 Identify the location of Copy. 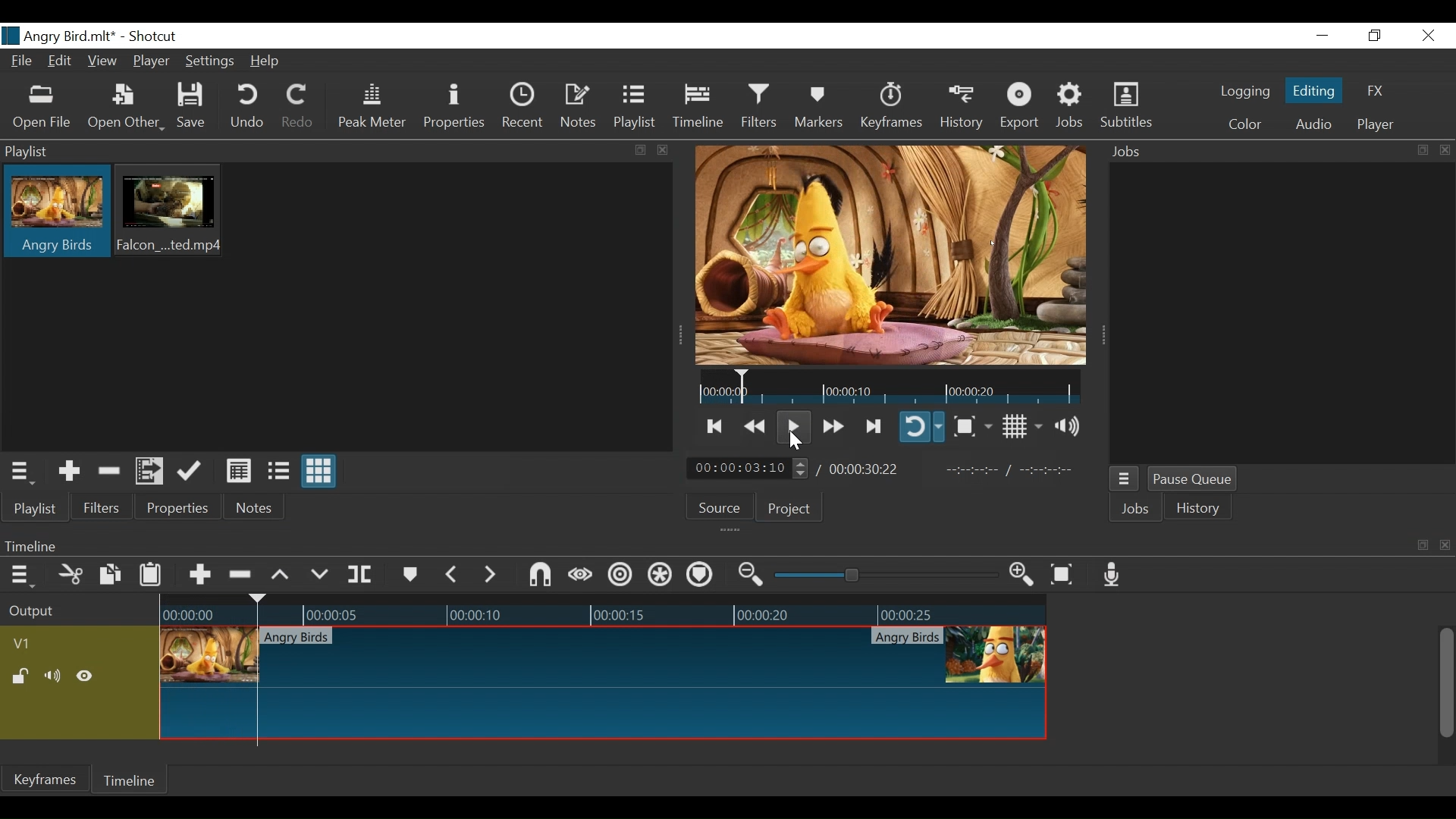
(108, 575).